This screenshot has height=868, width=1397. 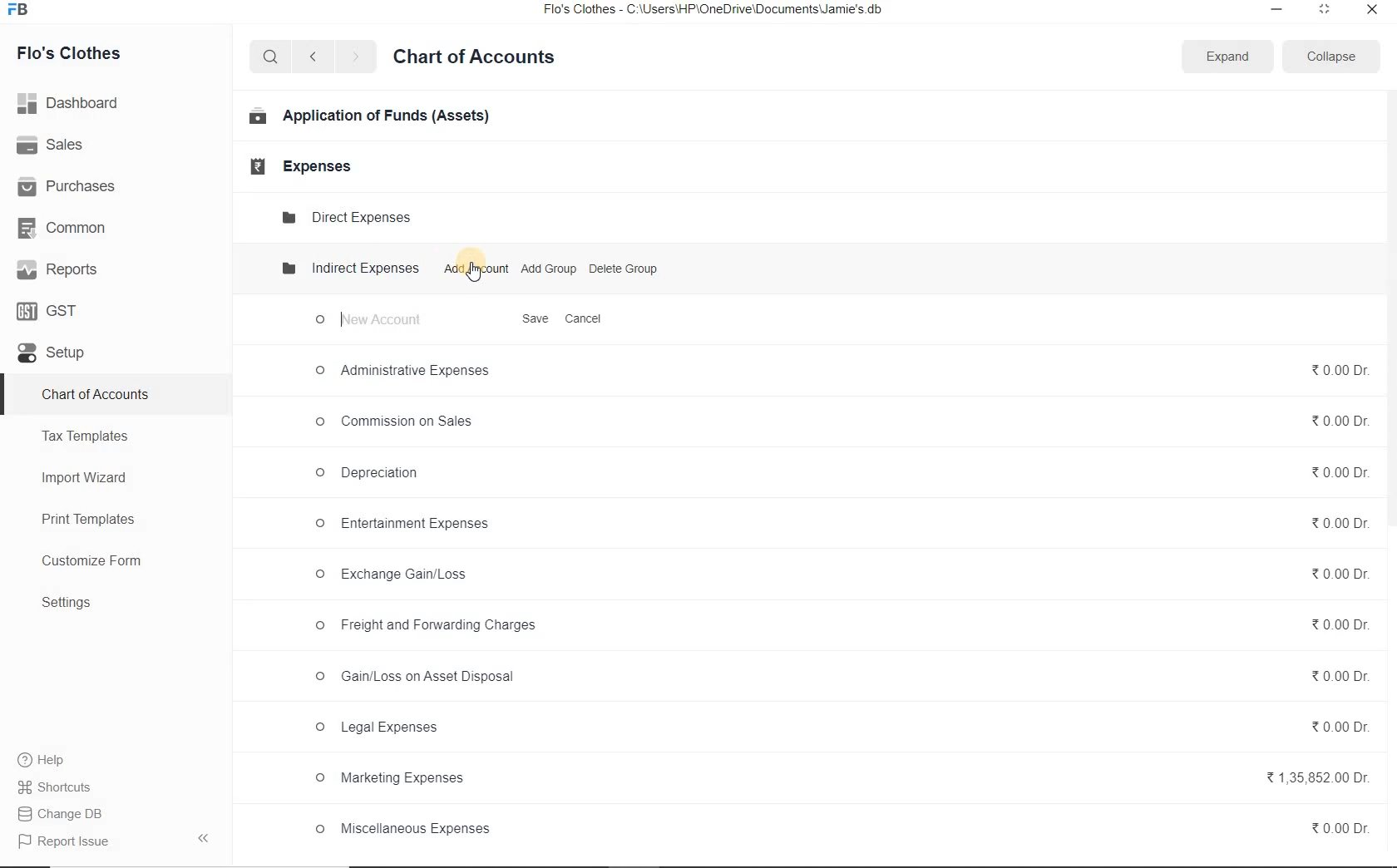 What do you see at coordinates (67, 227) in the screenshot?
I see `Common` at bounding box center [67, 227].